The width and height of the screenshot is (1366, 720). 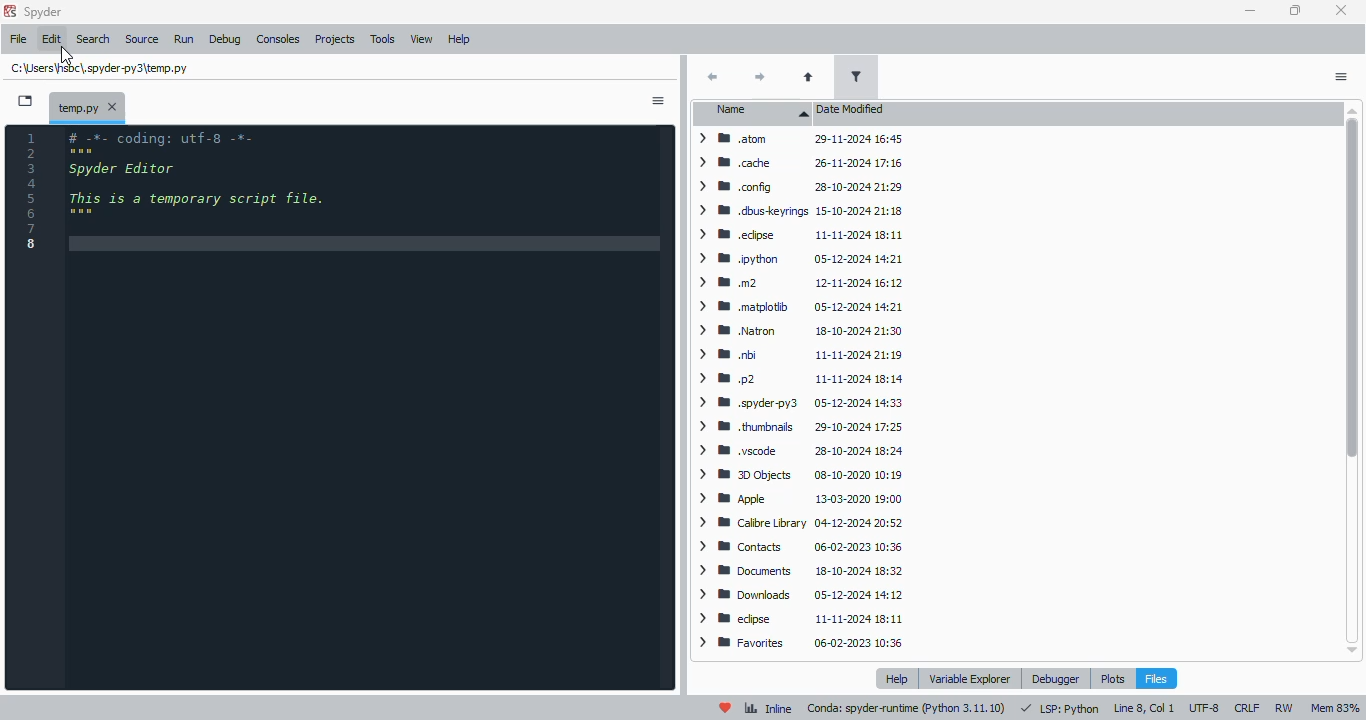 What do you see at coordinates (797, 355) in the screenshot?
I see `> Mobi 11-11-2024 21:19` at bounding box center [797, 355].